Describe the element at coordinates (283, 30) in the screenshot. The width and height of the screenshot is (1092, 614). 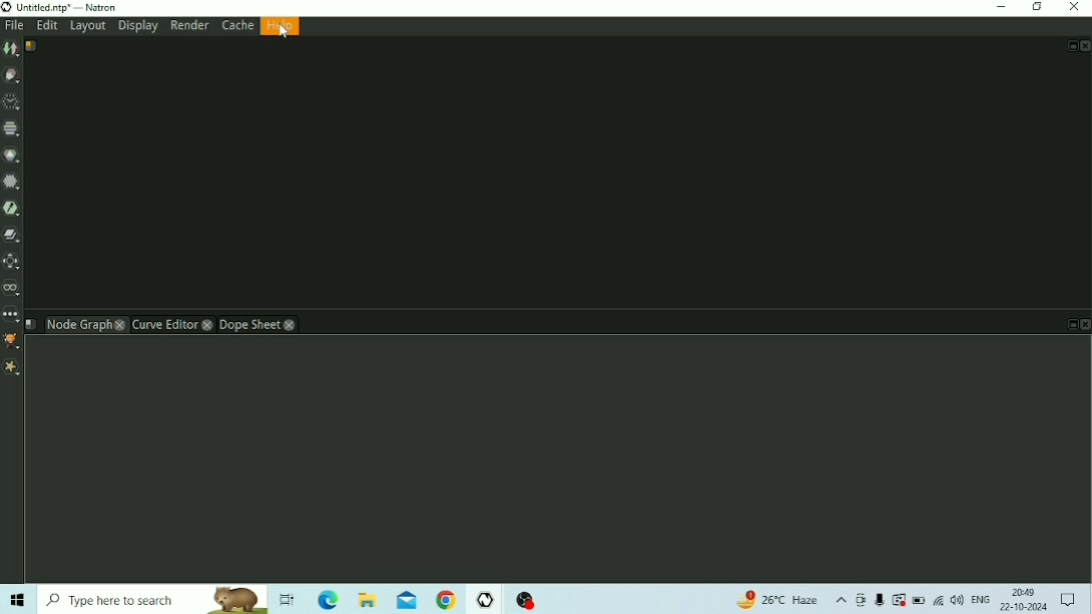
I see `cursor` at that location.